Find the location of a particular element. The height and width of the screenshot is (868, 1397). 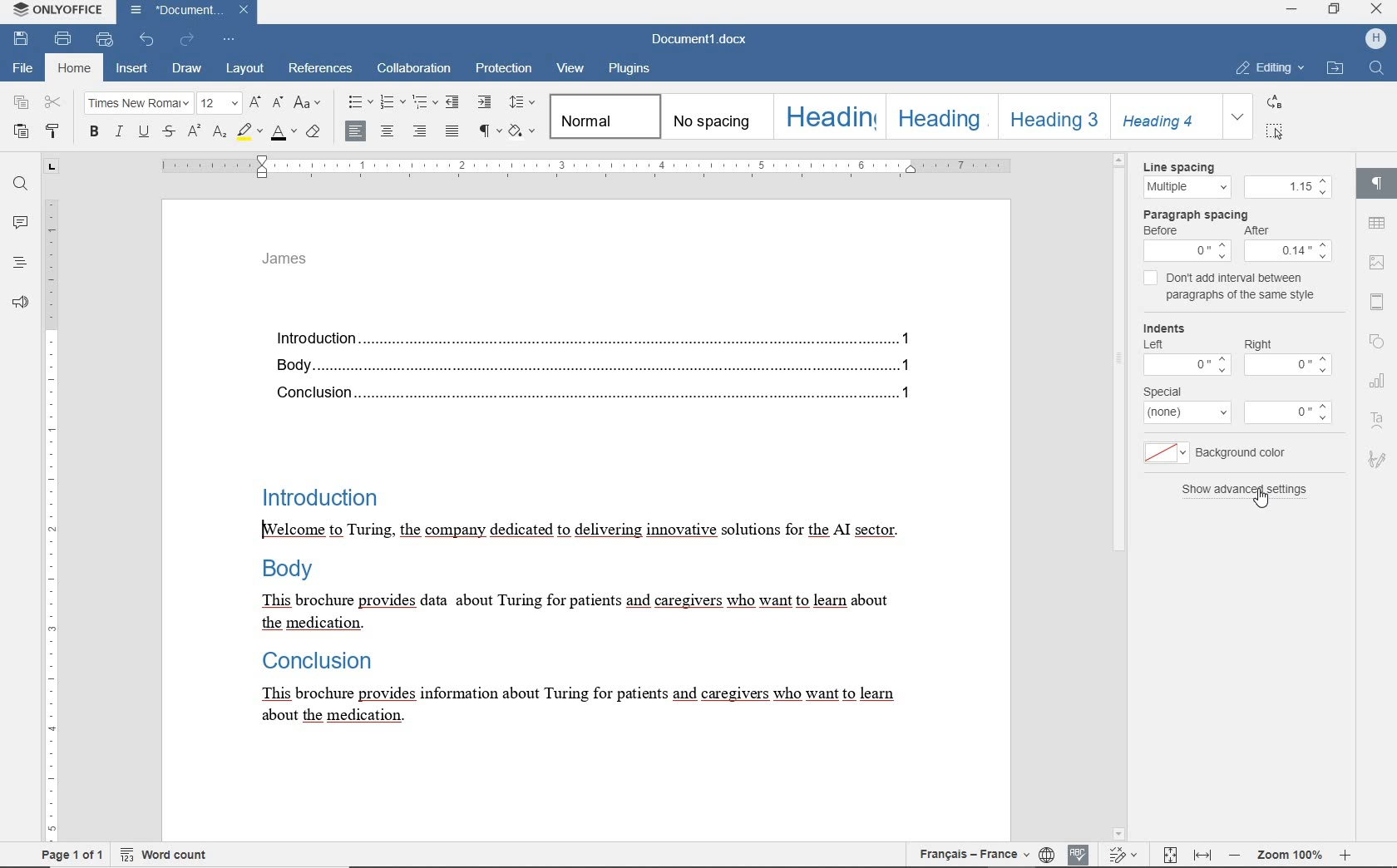

Body is located at coordinates (304, 569).